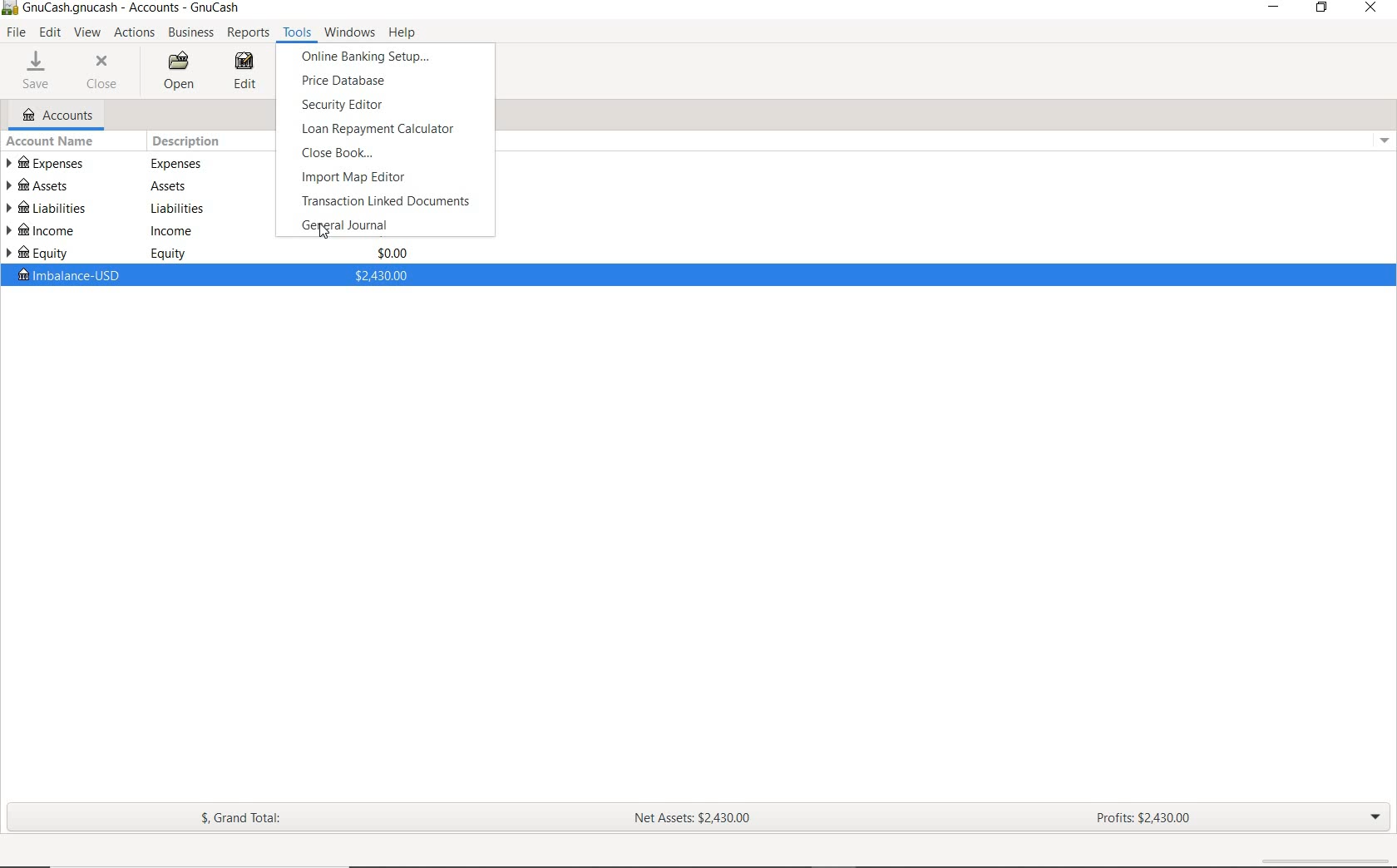 The image size is (1397, 868). Describe the element at coordinates (1375, 821) in the screenshot. I see `EXPAND` at that location.